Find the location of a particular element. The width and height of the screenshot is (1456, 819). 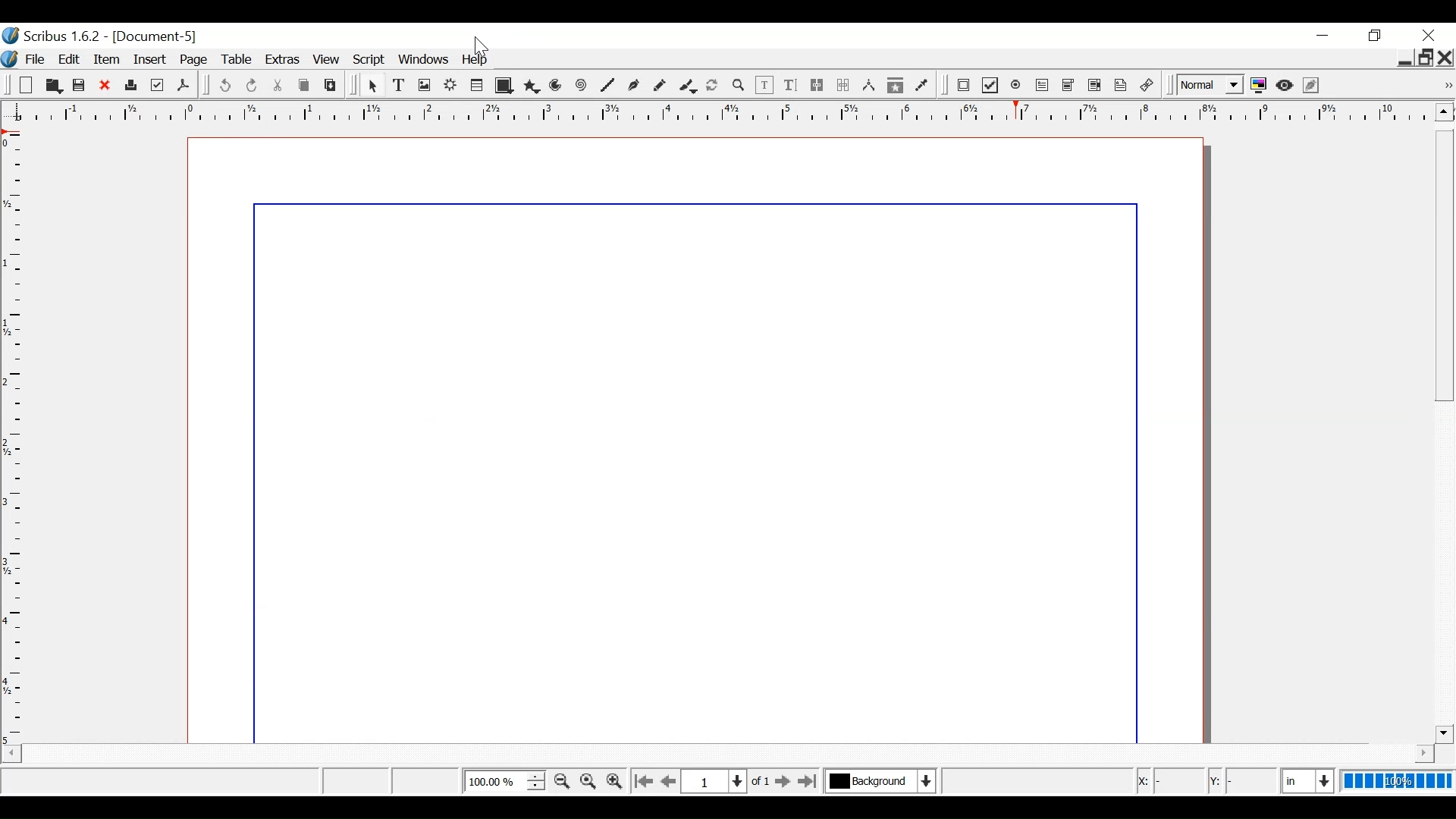

Open is located at coordinates (24, 86).